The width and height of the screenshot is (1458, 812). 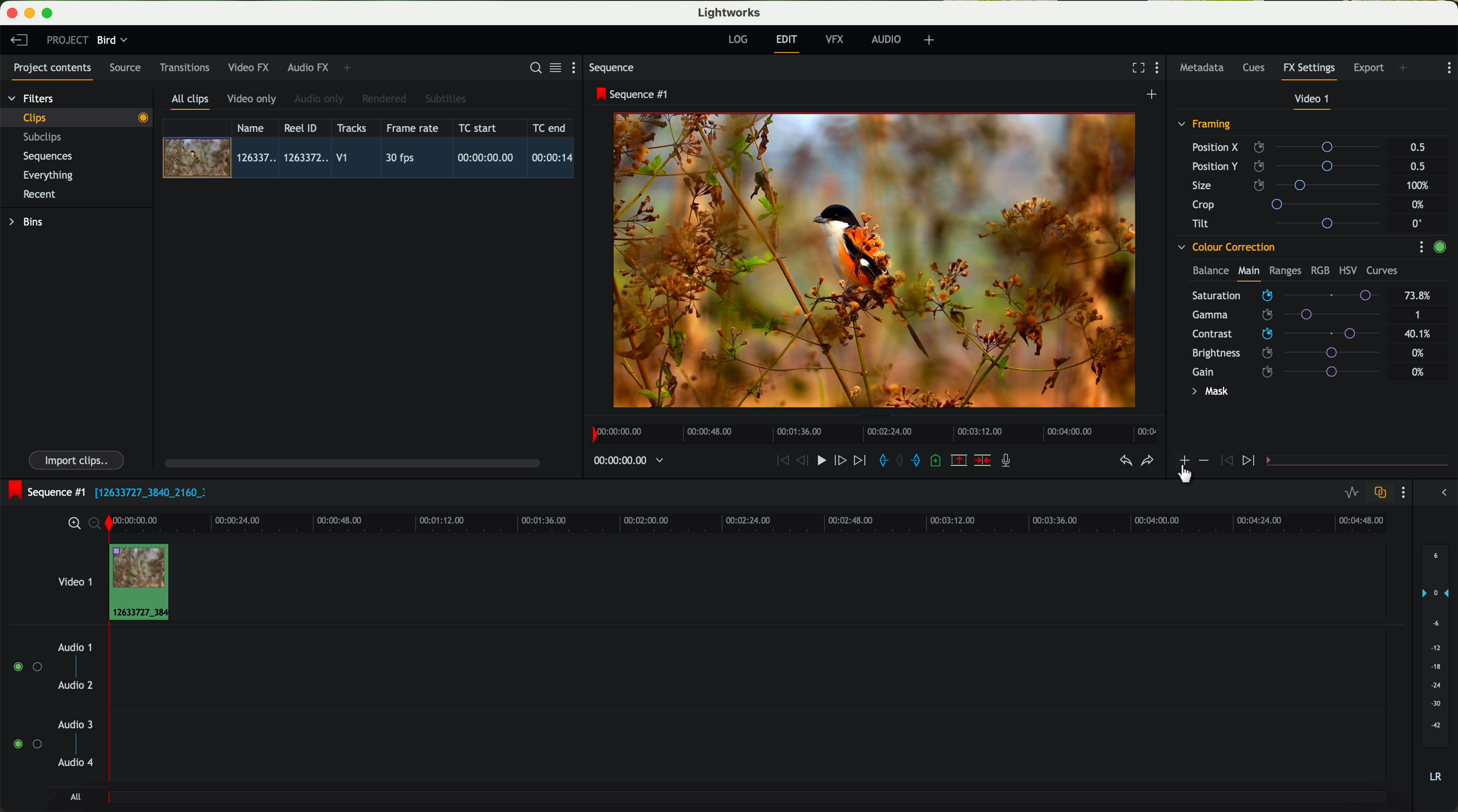 I want to click on enable audio, so click(x=27, y=744).